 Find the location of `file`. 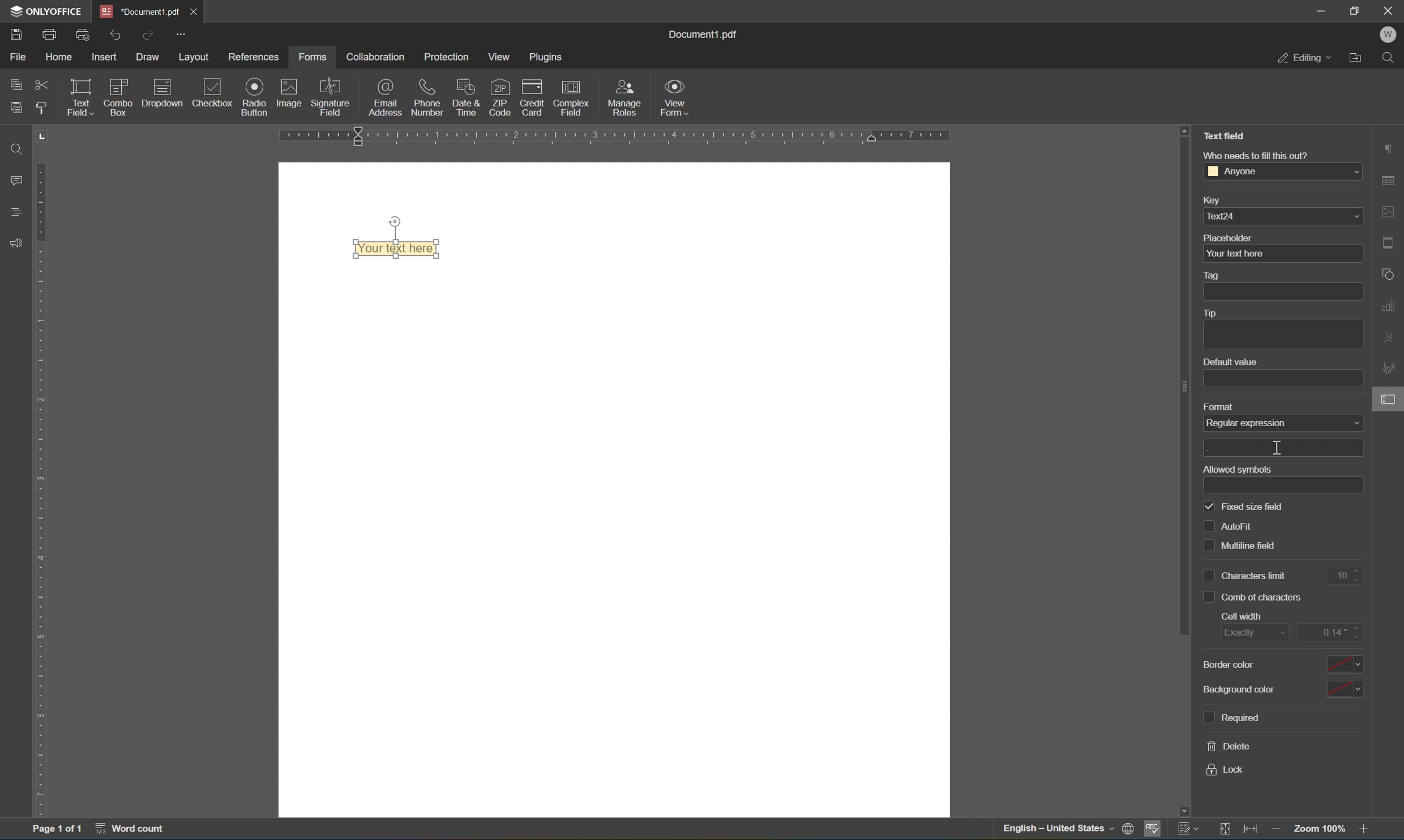

file is located at coordinates (18, 56).